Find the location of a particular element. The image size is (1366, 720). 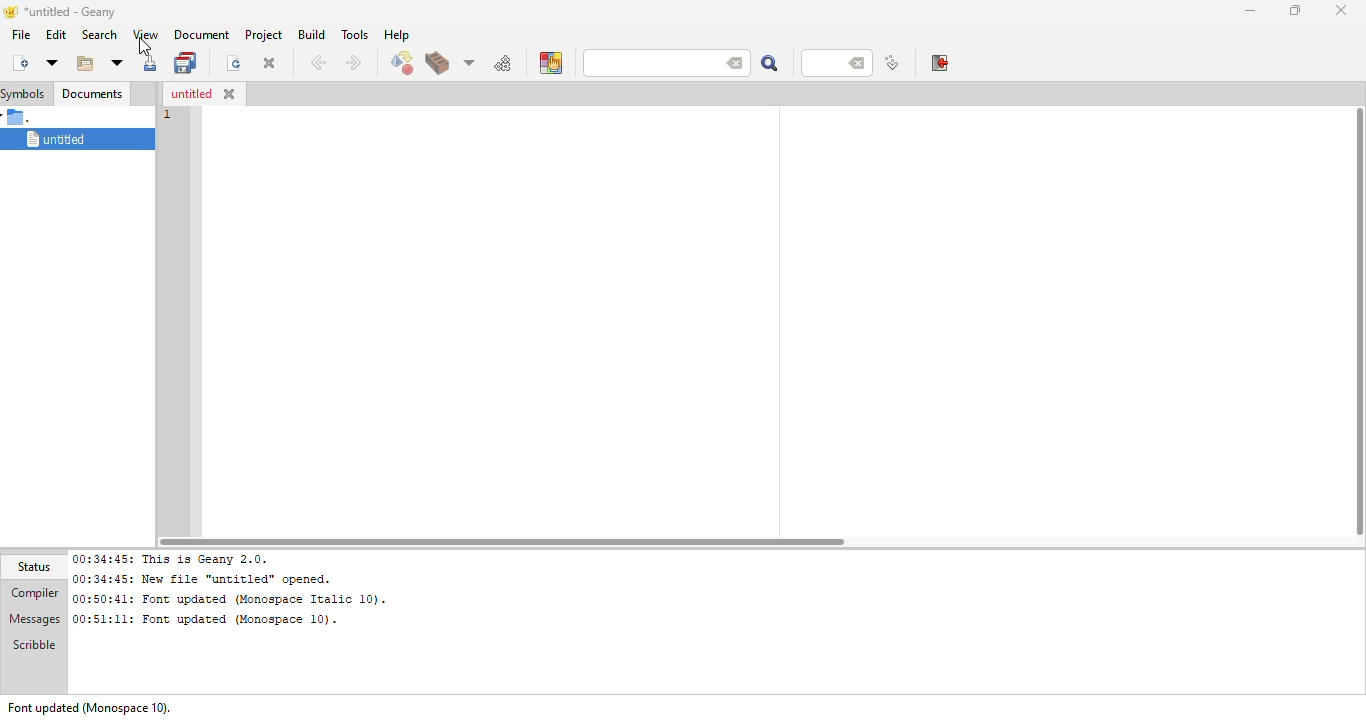

back space is located at coordinates (730, 61).